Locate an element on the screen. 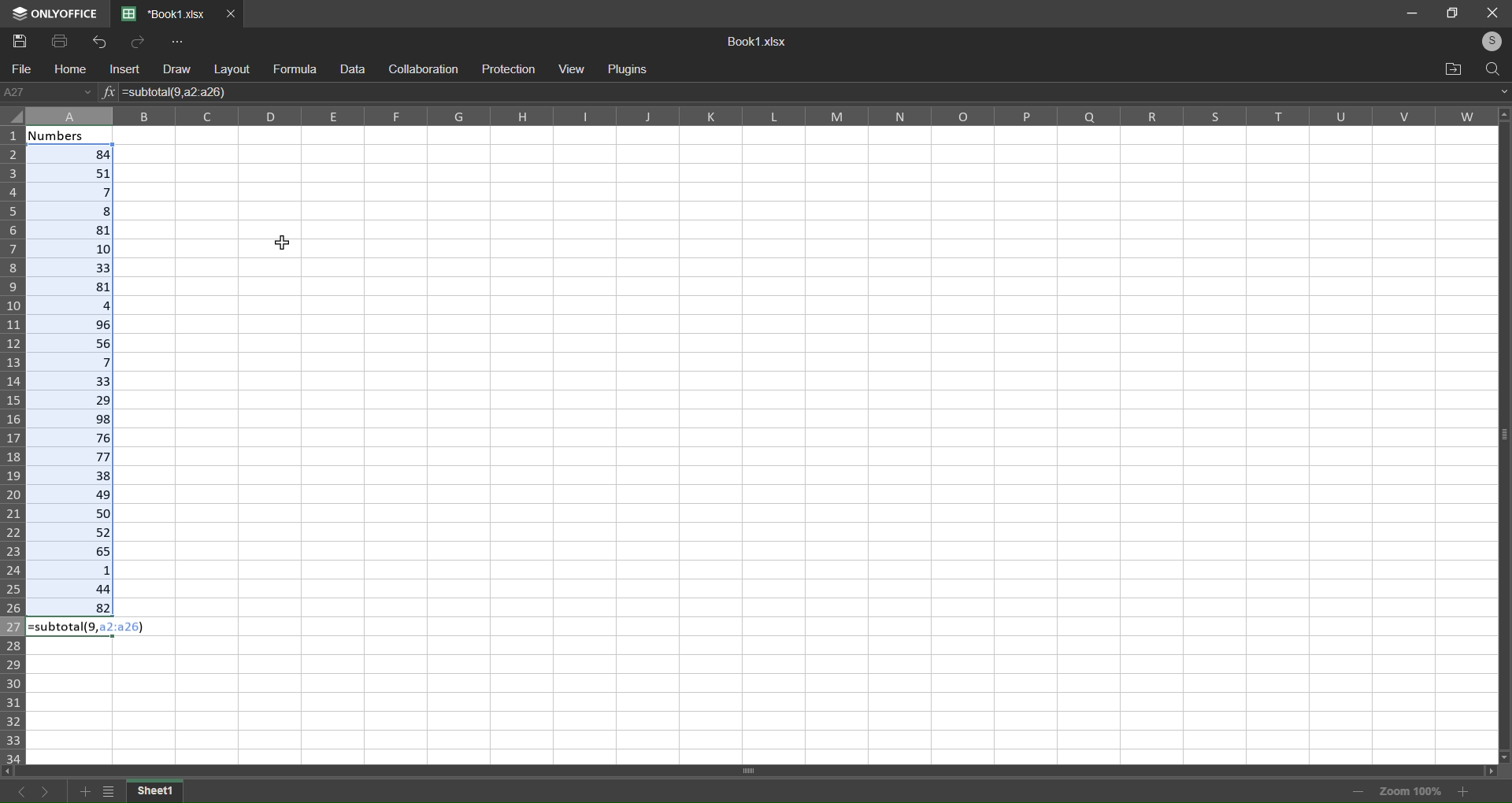  file is located at coordinates (22, 69).